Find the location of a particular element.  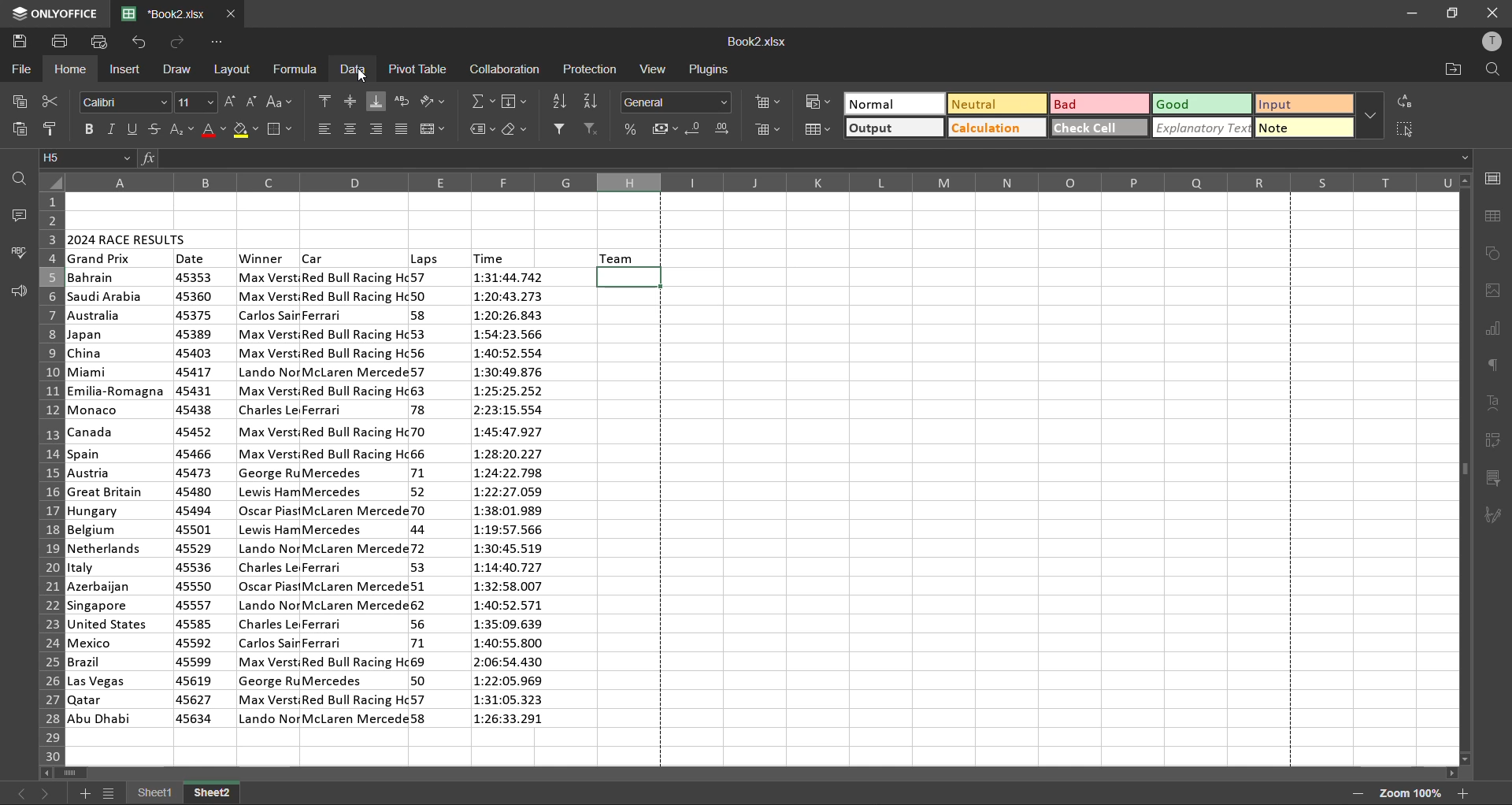

copy is located at coordinates (22, 102).